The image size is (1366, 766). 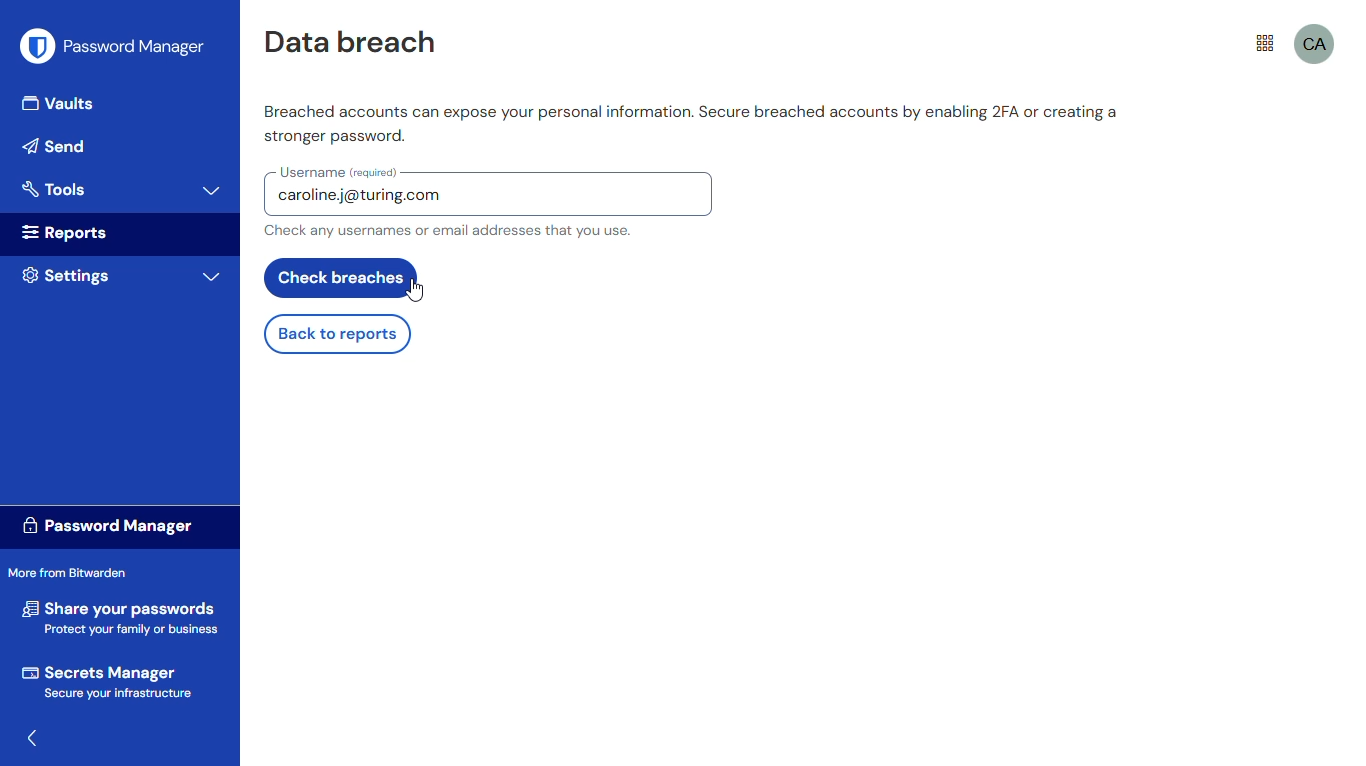 I want to click on more from bitwarden, so click(x=1265, y=42).